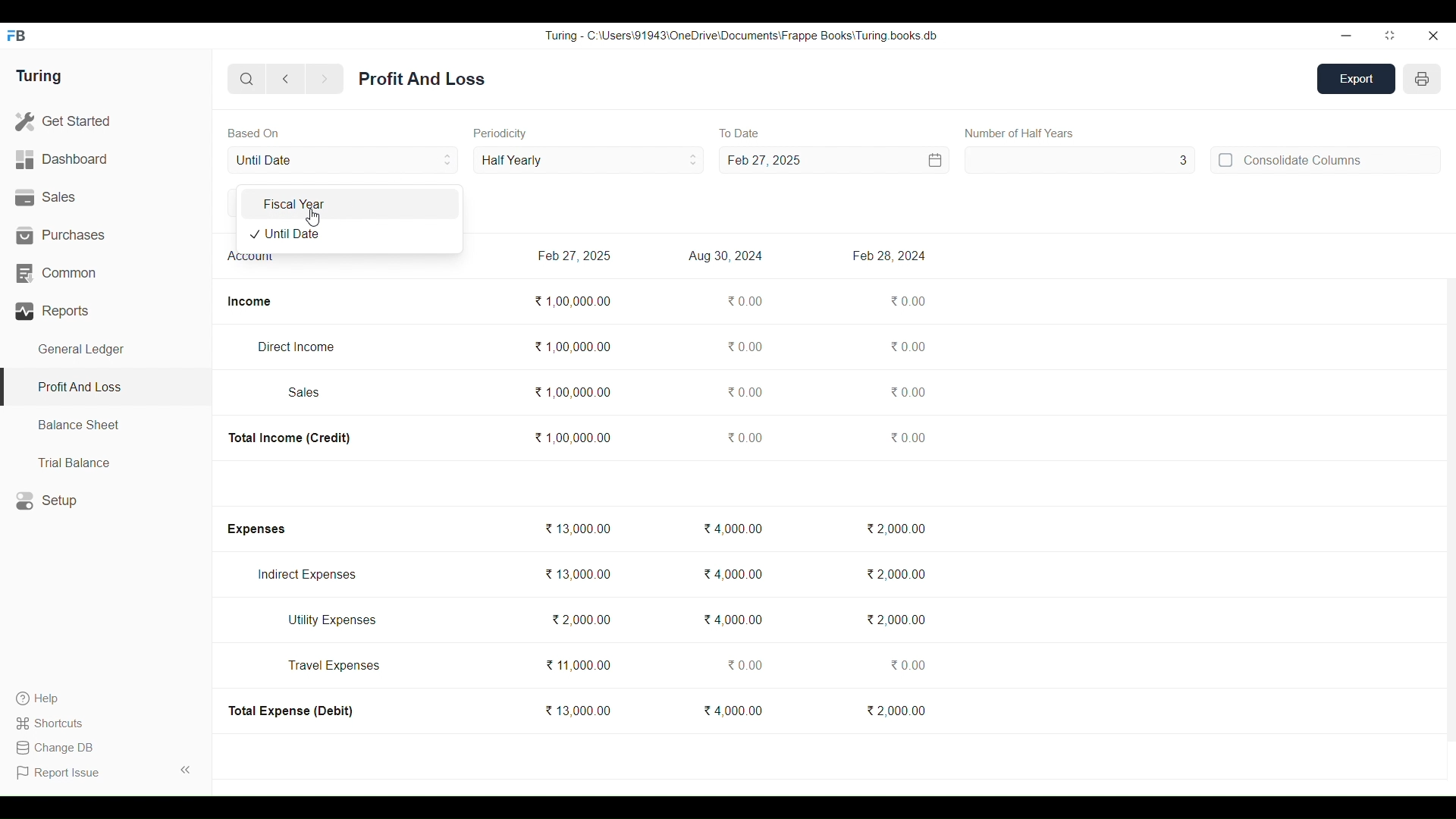 The height and width of the screenshot is (819, 1456). What do you see at coordinates (572, 437) in the screenshot?
I see `1,00,000.00` at bounding box center [572, 437].